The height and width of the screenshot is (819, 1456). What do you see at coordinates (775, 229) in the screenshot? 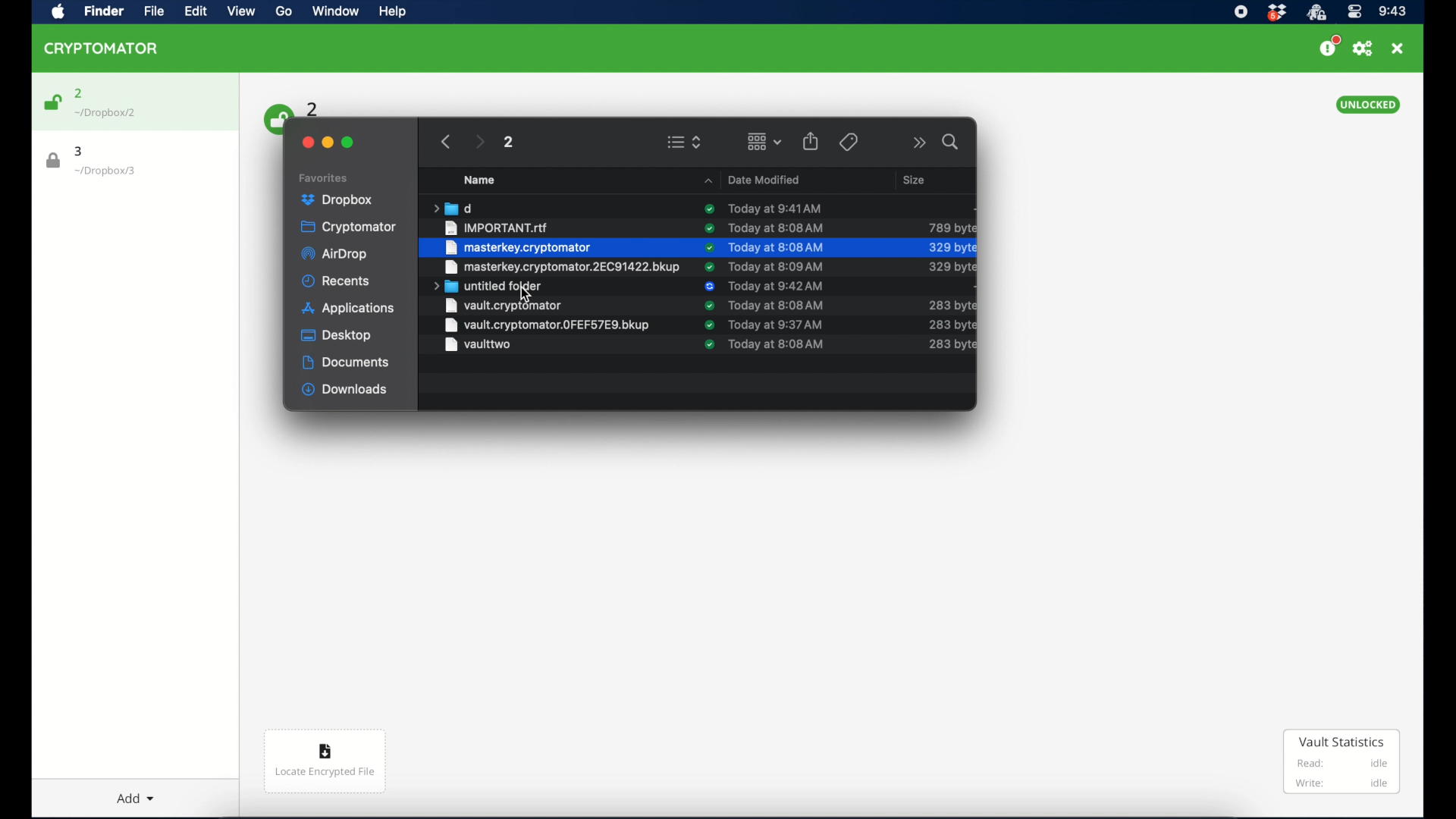
I see `` at bounding box center [775, 229].